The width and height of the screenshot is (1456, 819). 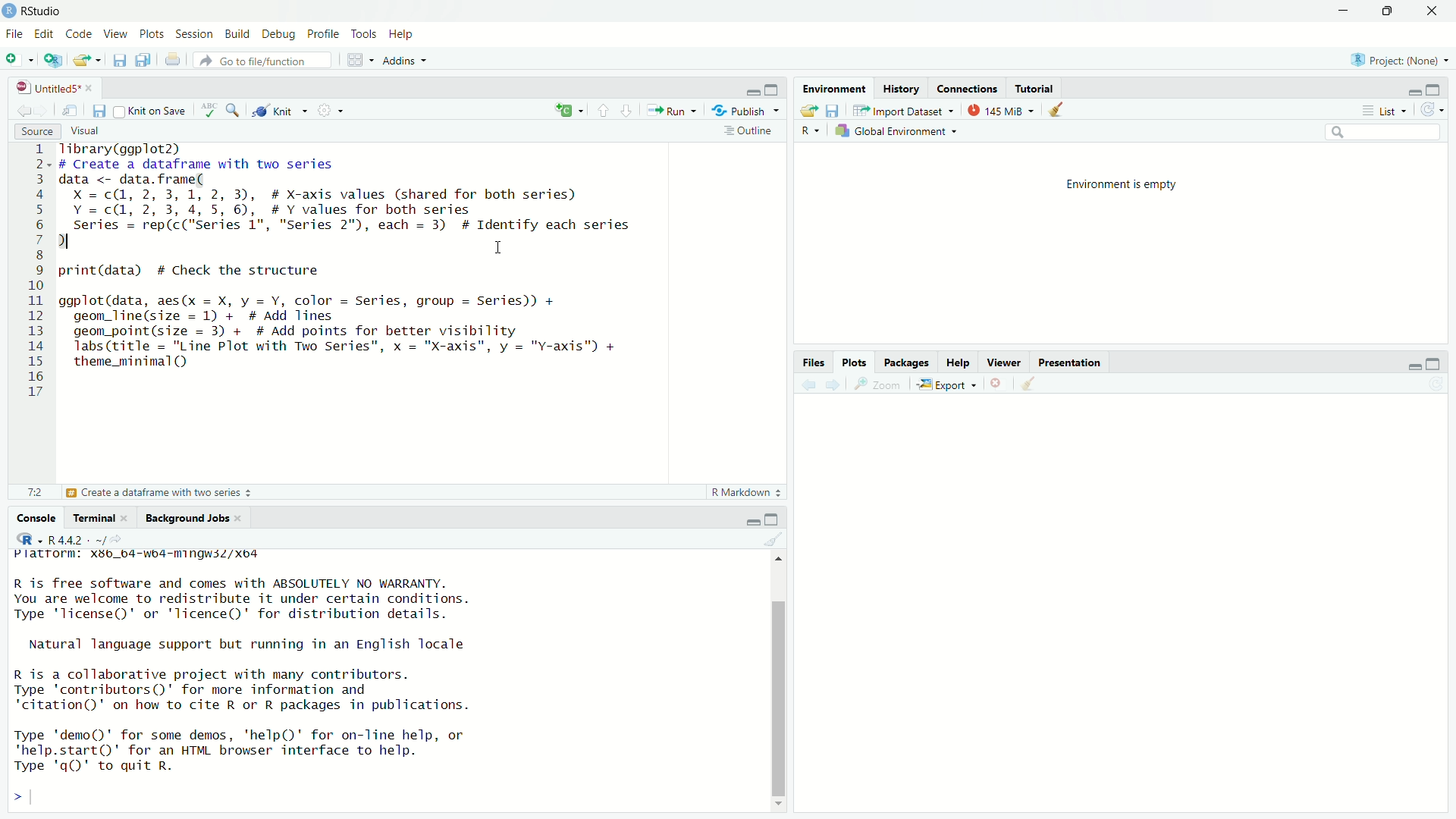 What do you see at coordinates (779, 686) in the screenshot?
I see `Scrollbar ` at bounding box center [779, 686].